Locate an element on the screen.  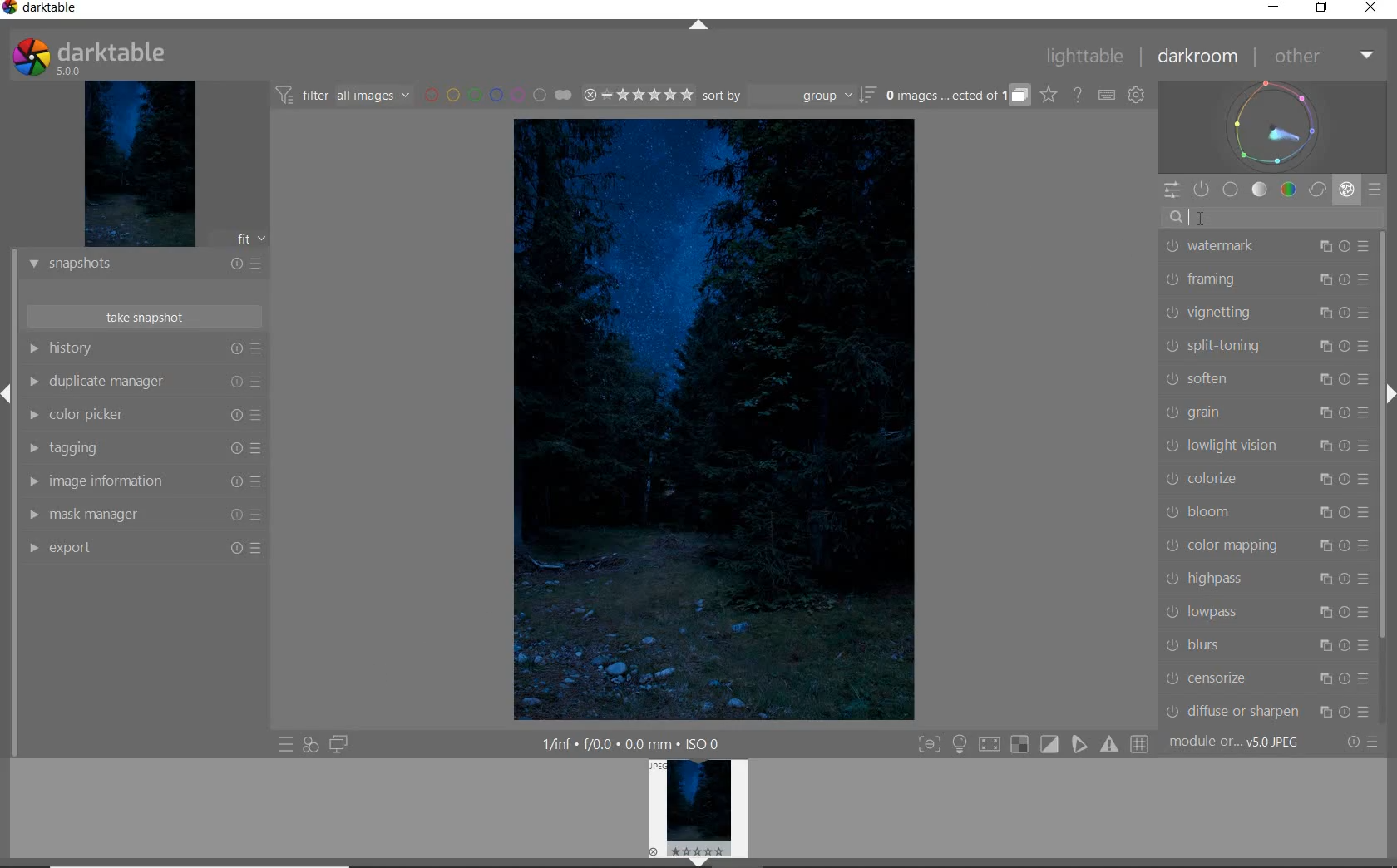
TONE is located at coordinates (1259, 190).